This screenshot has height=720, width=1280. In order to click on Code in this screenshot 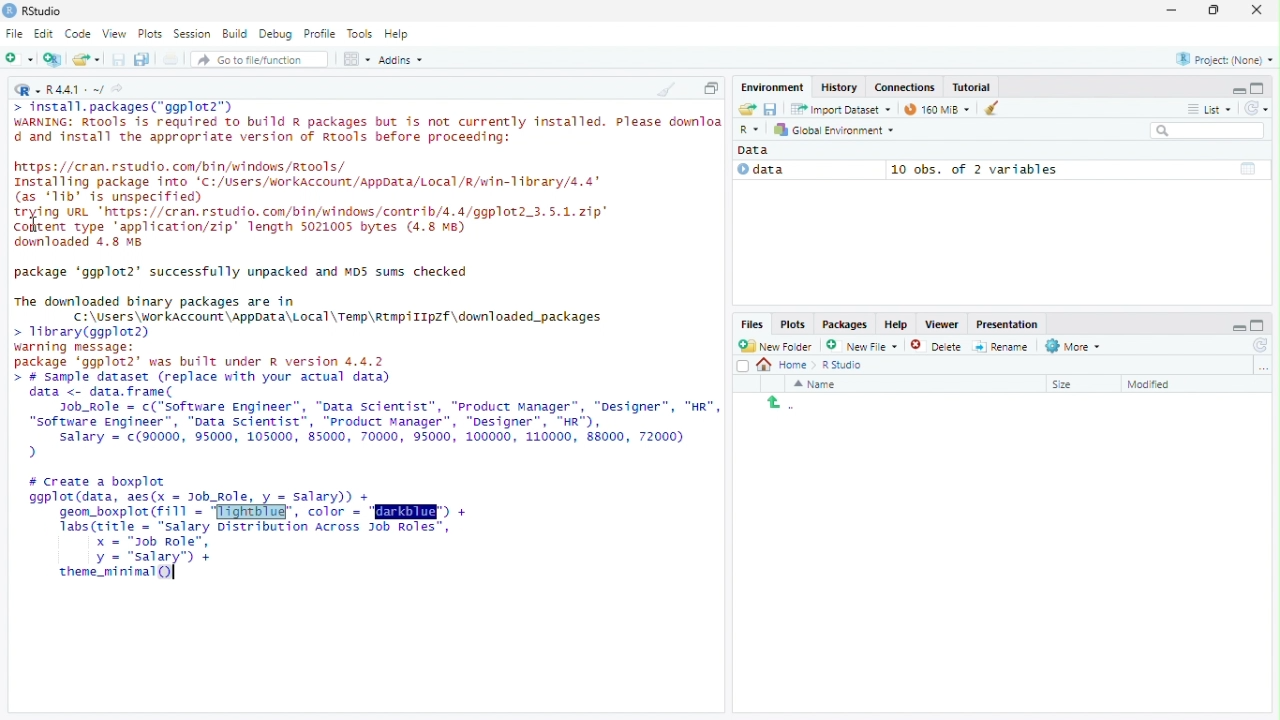, I will do `click(80, 34)`.